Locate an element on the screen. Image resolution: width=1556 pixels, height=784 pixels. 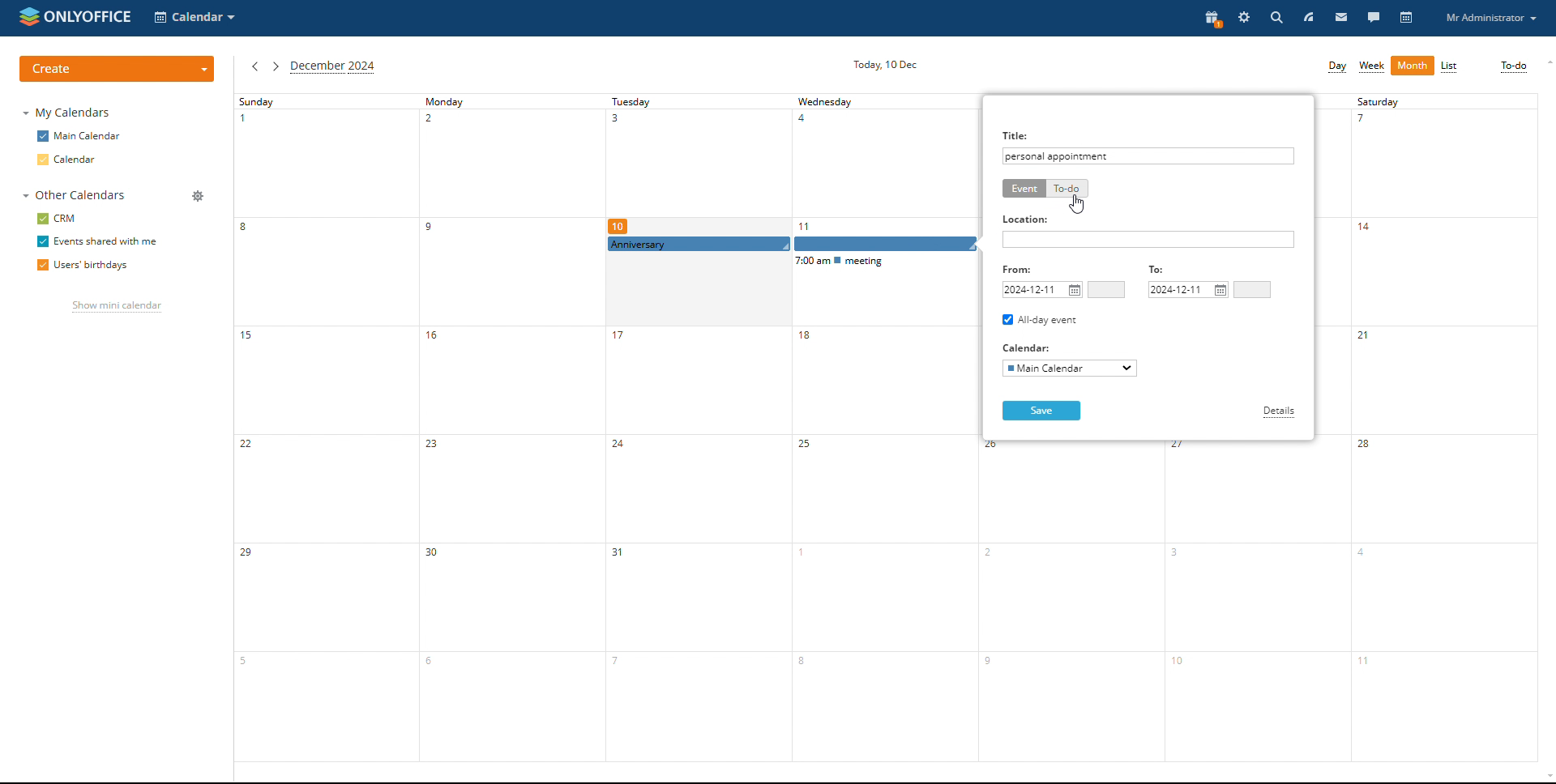
start date is located at coordinates (1042, 290).